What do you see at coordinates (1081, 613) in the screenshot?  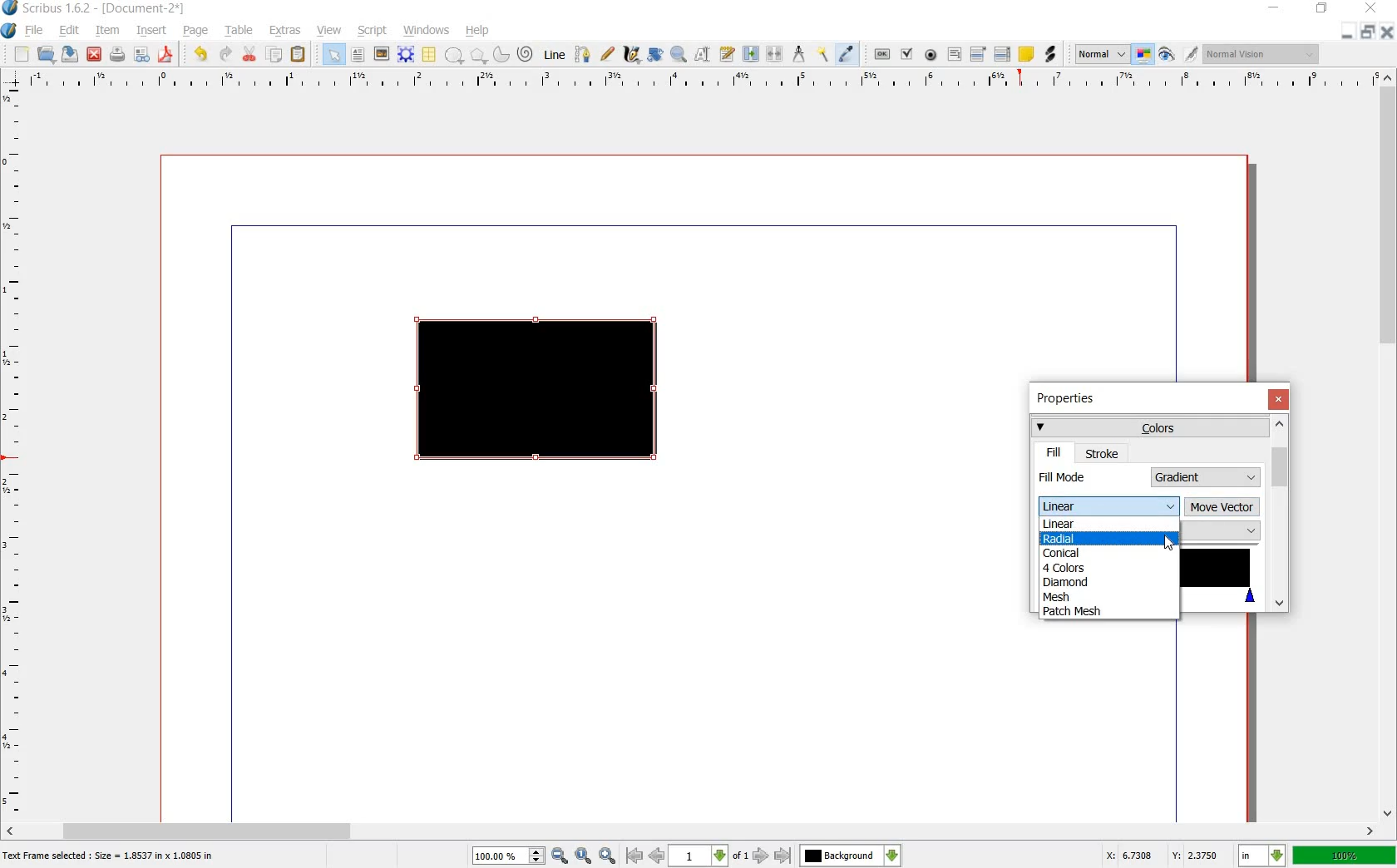 I see `patch mesh` at bounding box center [1081, 613].